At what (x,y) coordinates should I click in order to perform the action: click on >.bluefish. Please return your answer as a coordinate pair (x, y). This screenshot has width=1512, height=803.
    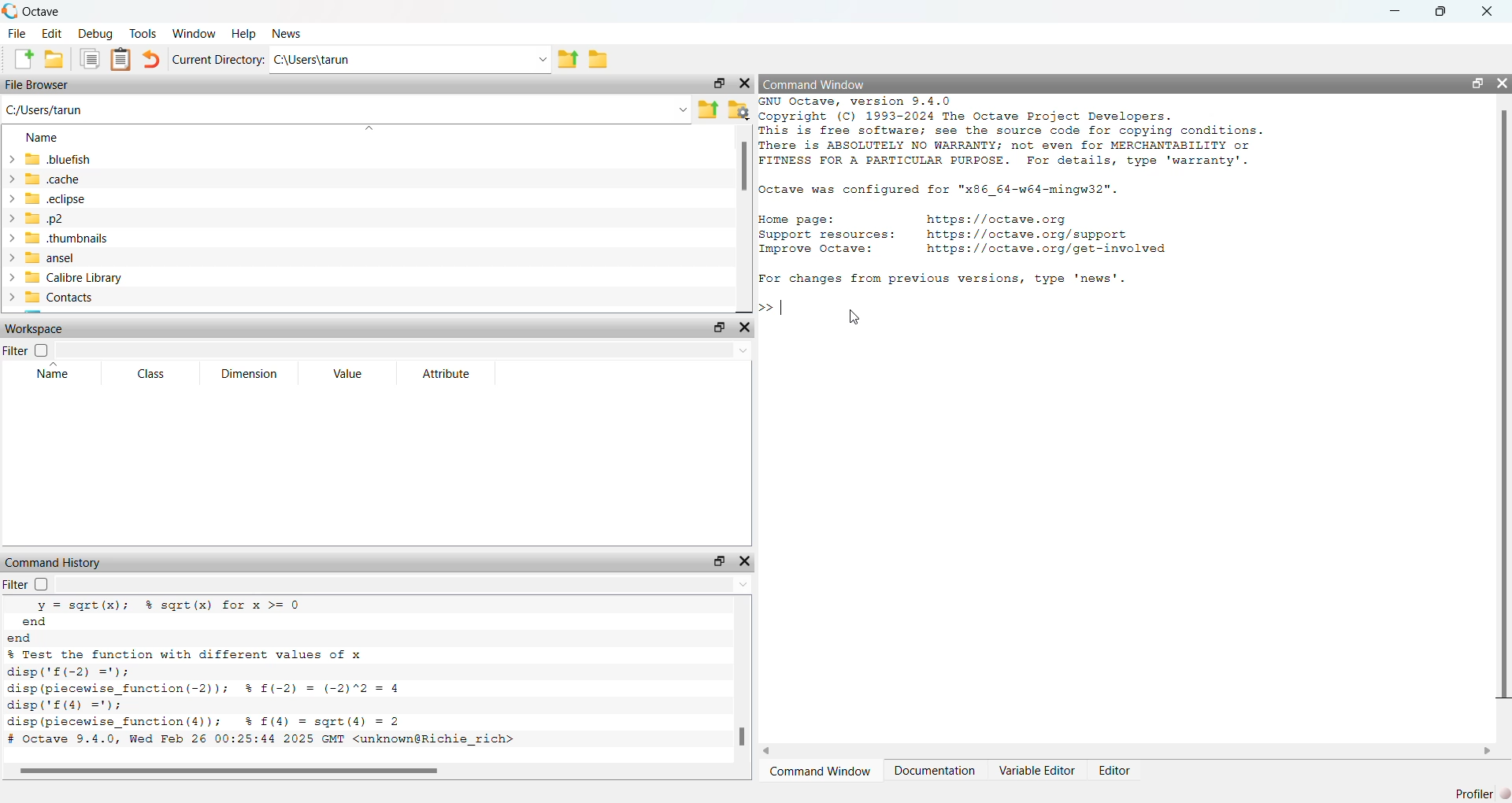
    Looking at the image, I should click on (54, 160).